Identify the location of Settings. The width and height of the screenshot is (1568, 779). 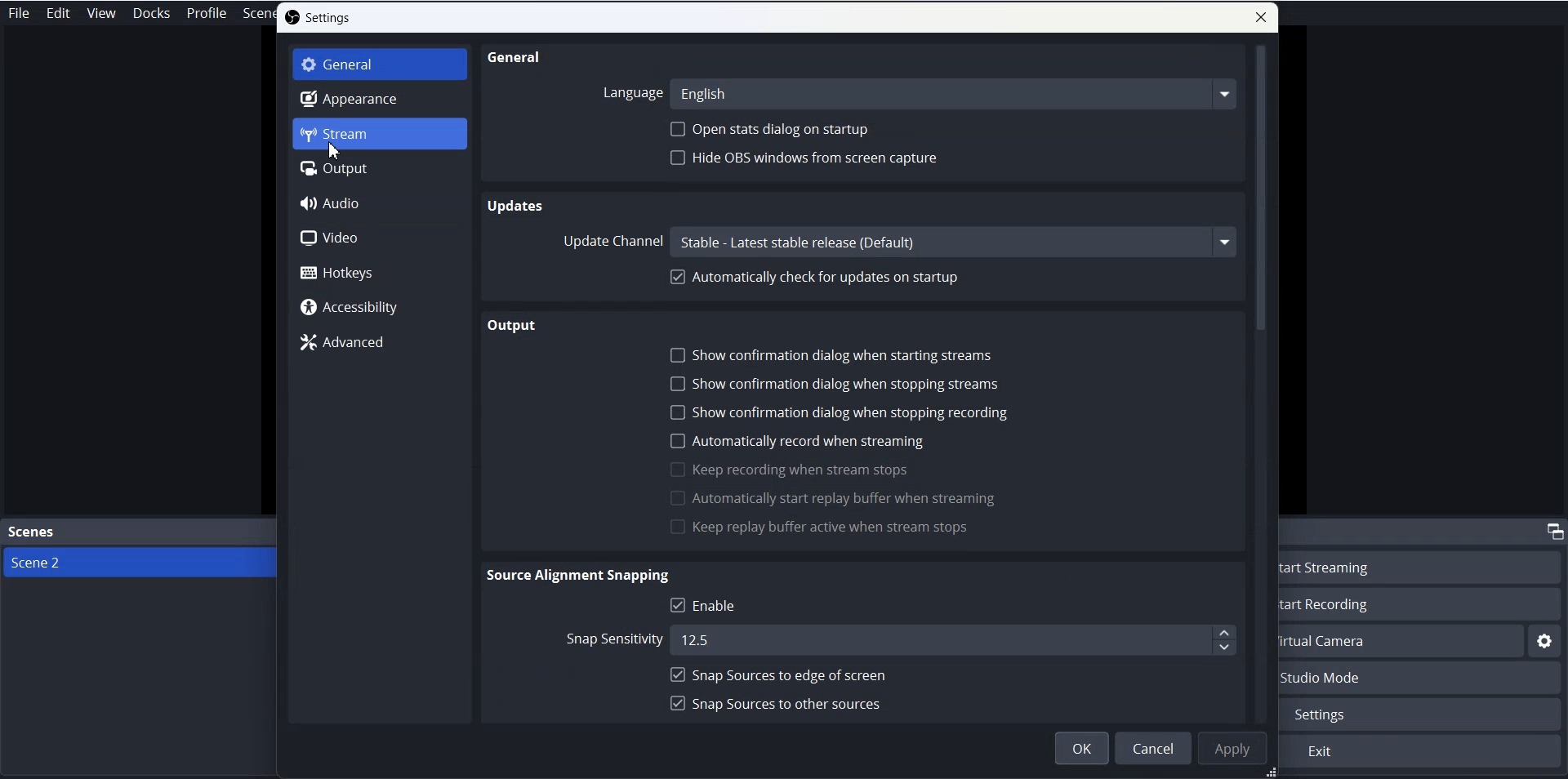
(1424, 714).